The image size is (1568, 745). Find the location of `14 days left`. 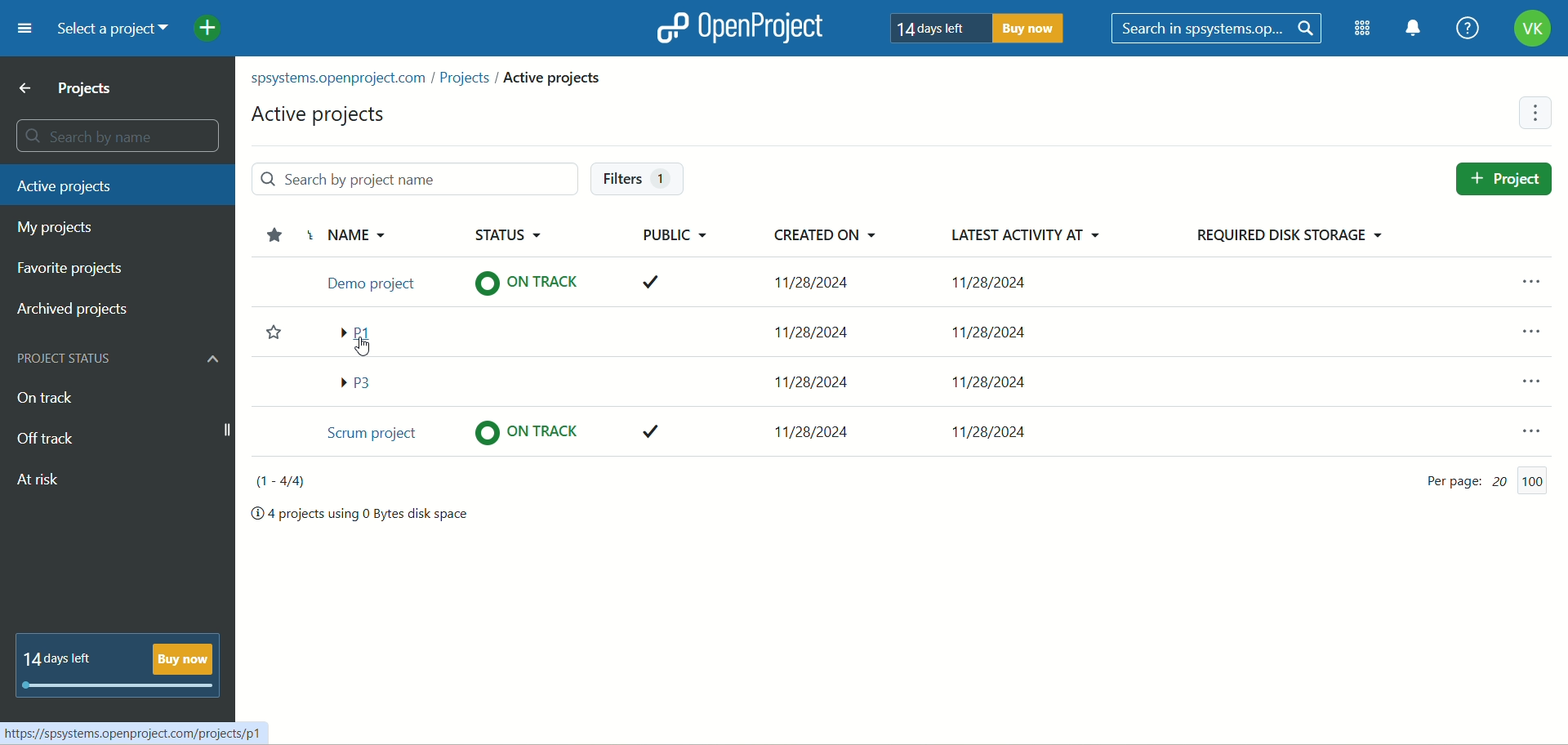

14 days left is located at coordinates (938, 29).